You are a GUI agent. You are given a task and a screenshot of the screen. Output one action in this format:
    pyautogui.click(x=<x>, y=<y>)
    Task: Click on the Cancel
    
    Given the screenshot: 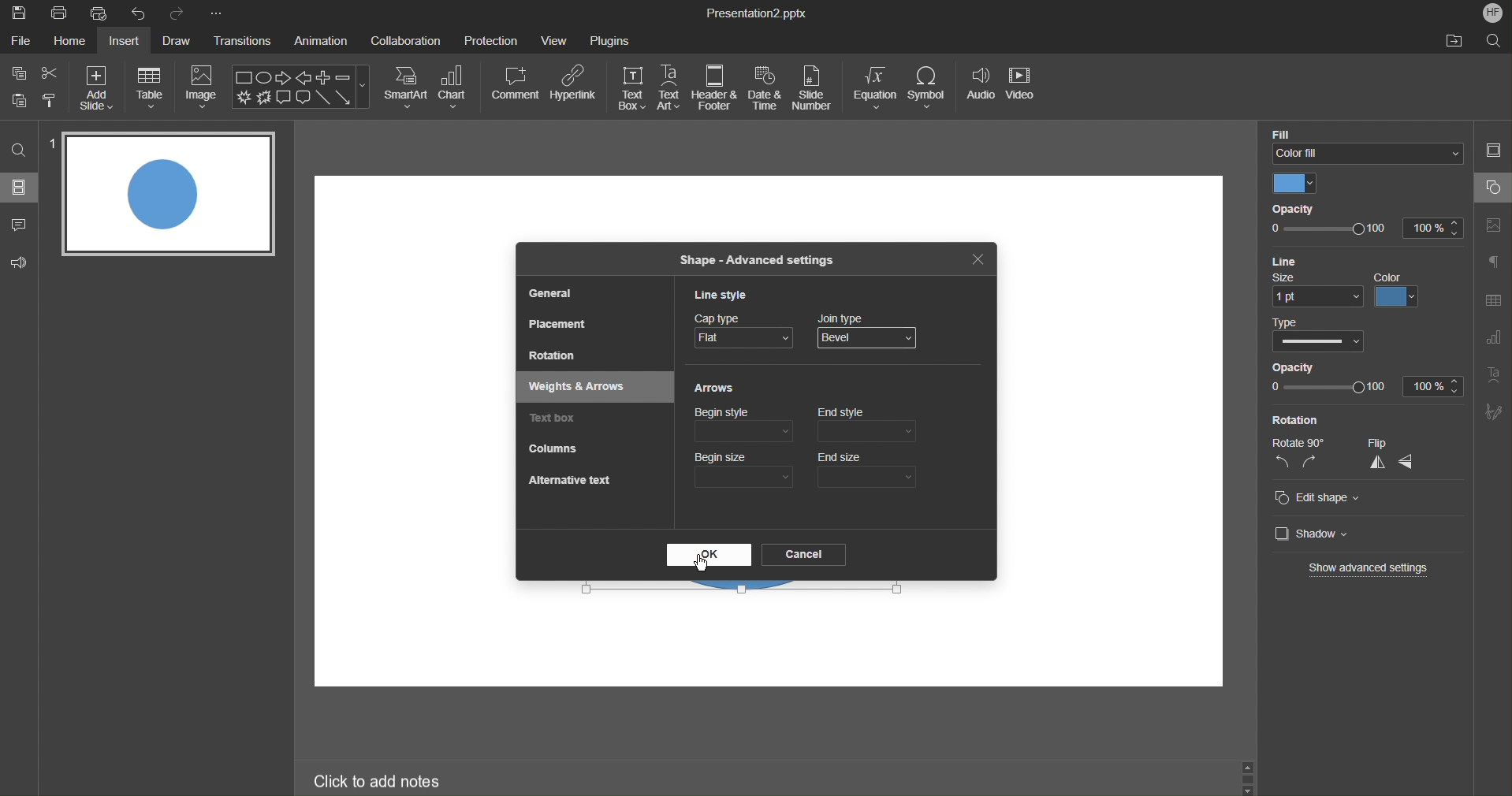 What is the action you would take?
    pyautogui.click(x=803, y=555)
    